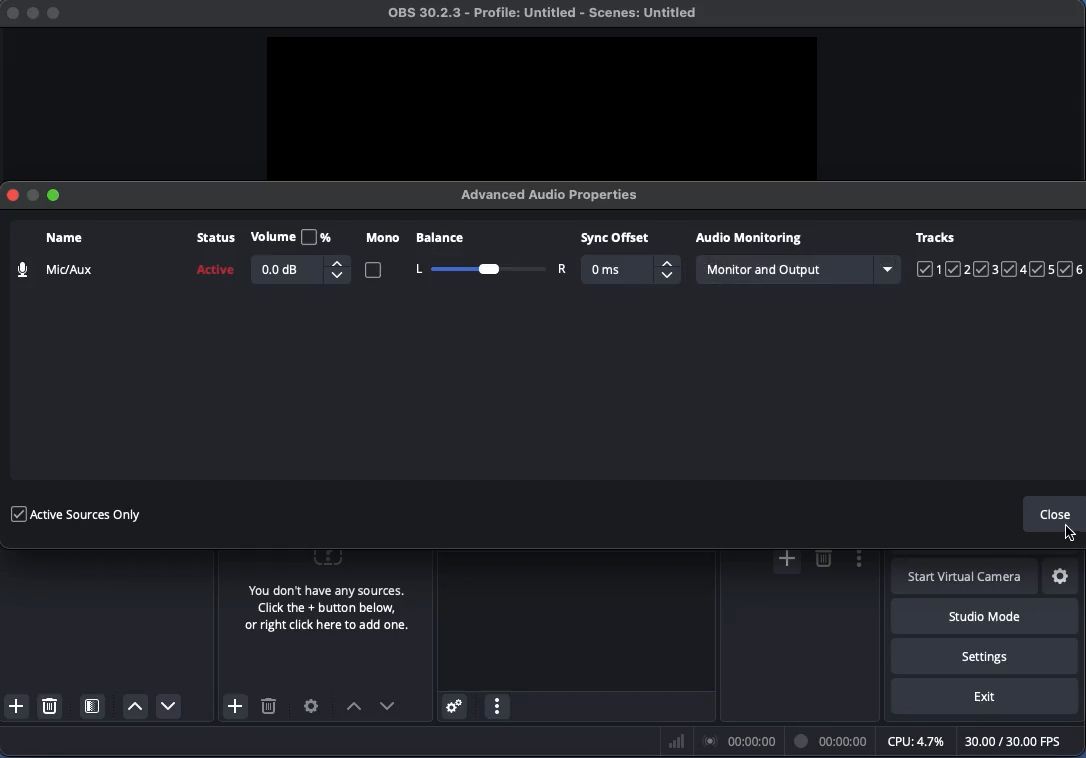 The width and height of the screenshot is (1086, 758). I want to click on Left, so click(417, 269).